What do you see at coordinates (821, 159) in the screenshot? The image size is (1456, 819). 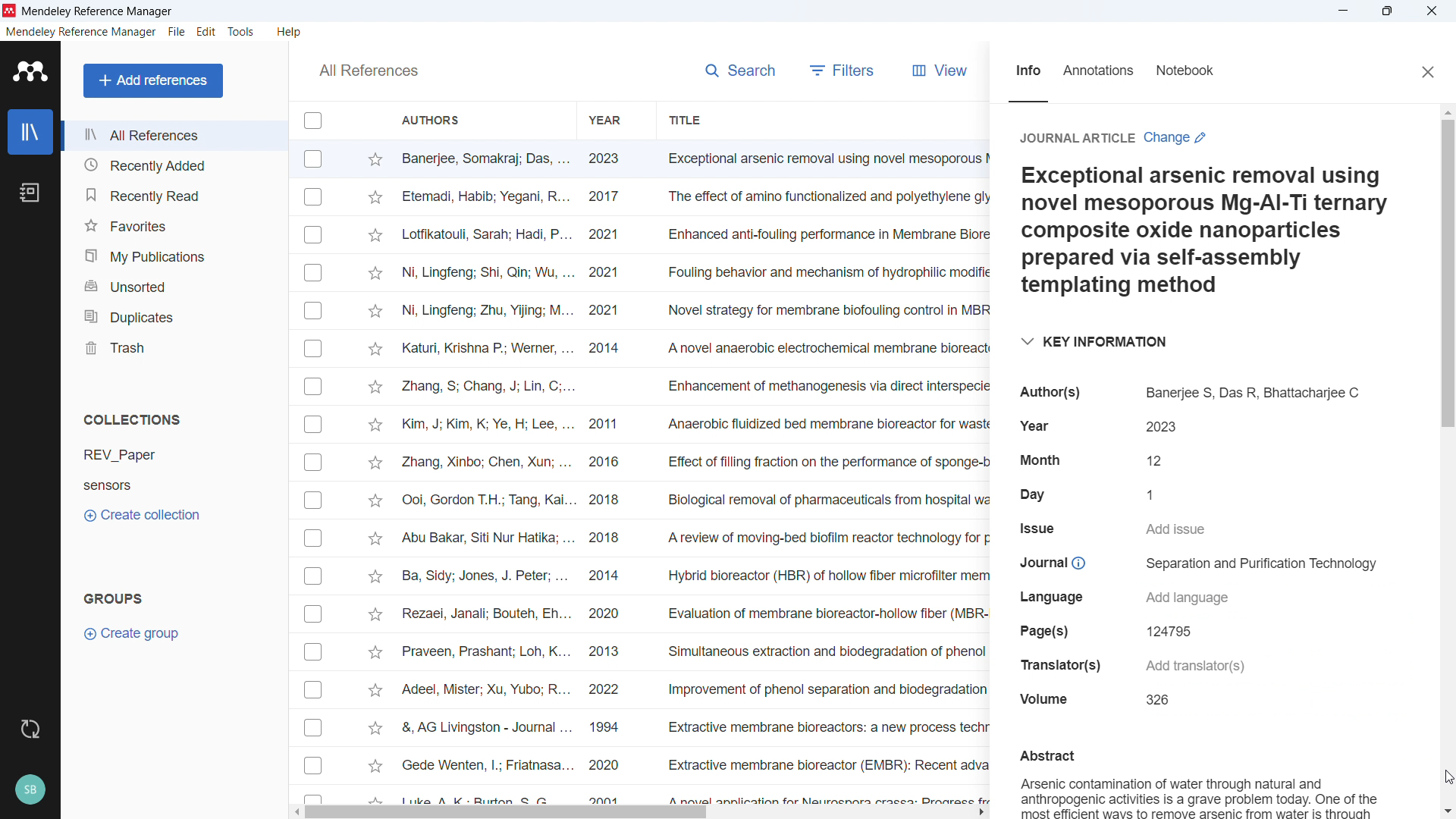 I see `exceptional arsenic removal using novel mesoporous mg-ai-ti temany compo` at bounding box center [821, 159].